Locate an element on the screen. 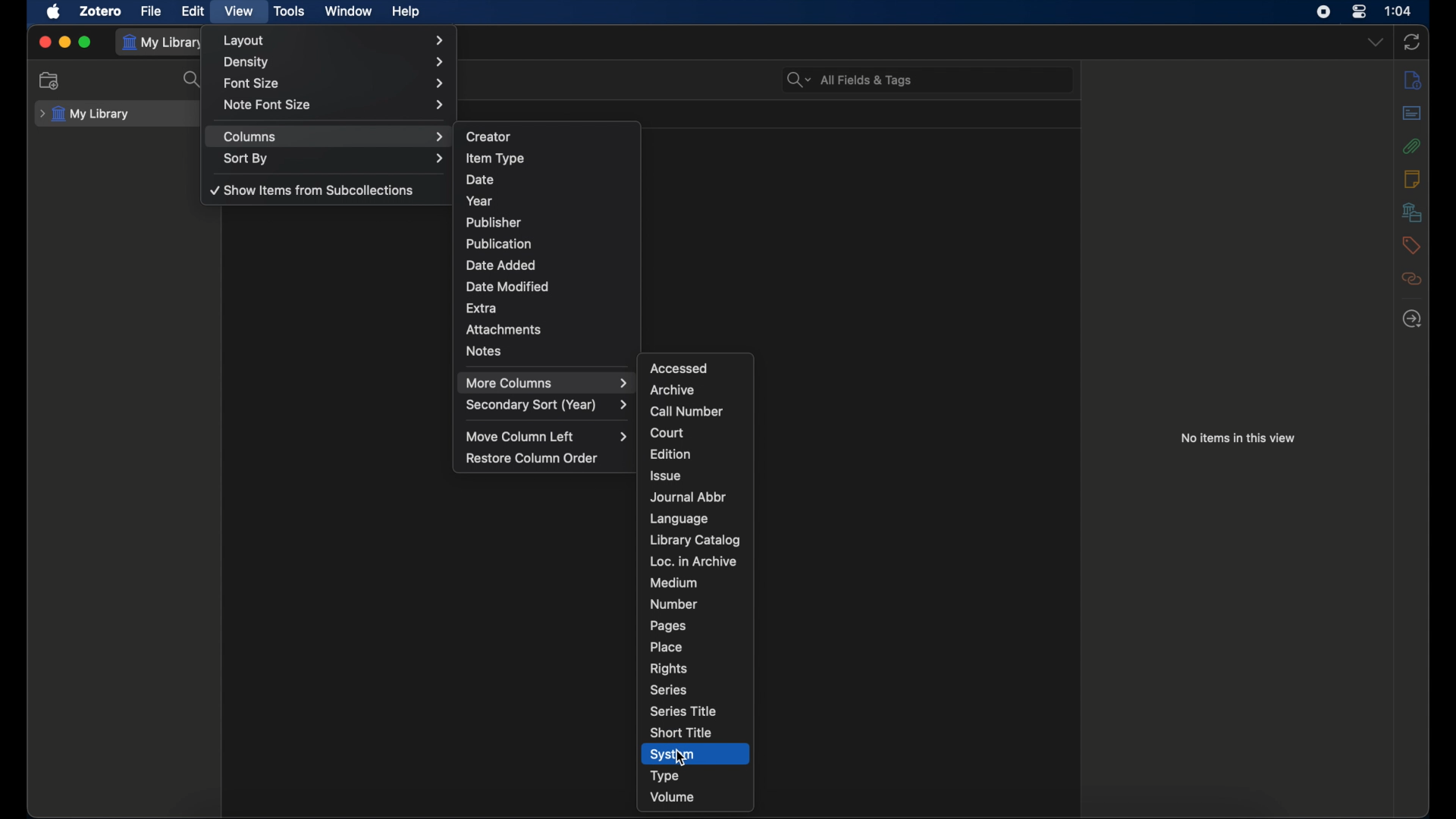  search  is located at coordinates (848, 80).